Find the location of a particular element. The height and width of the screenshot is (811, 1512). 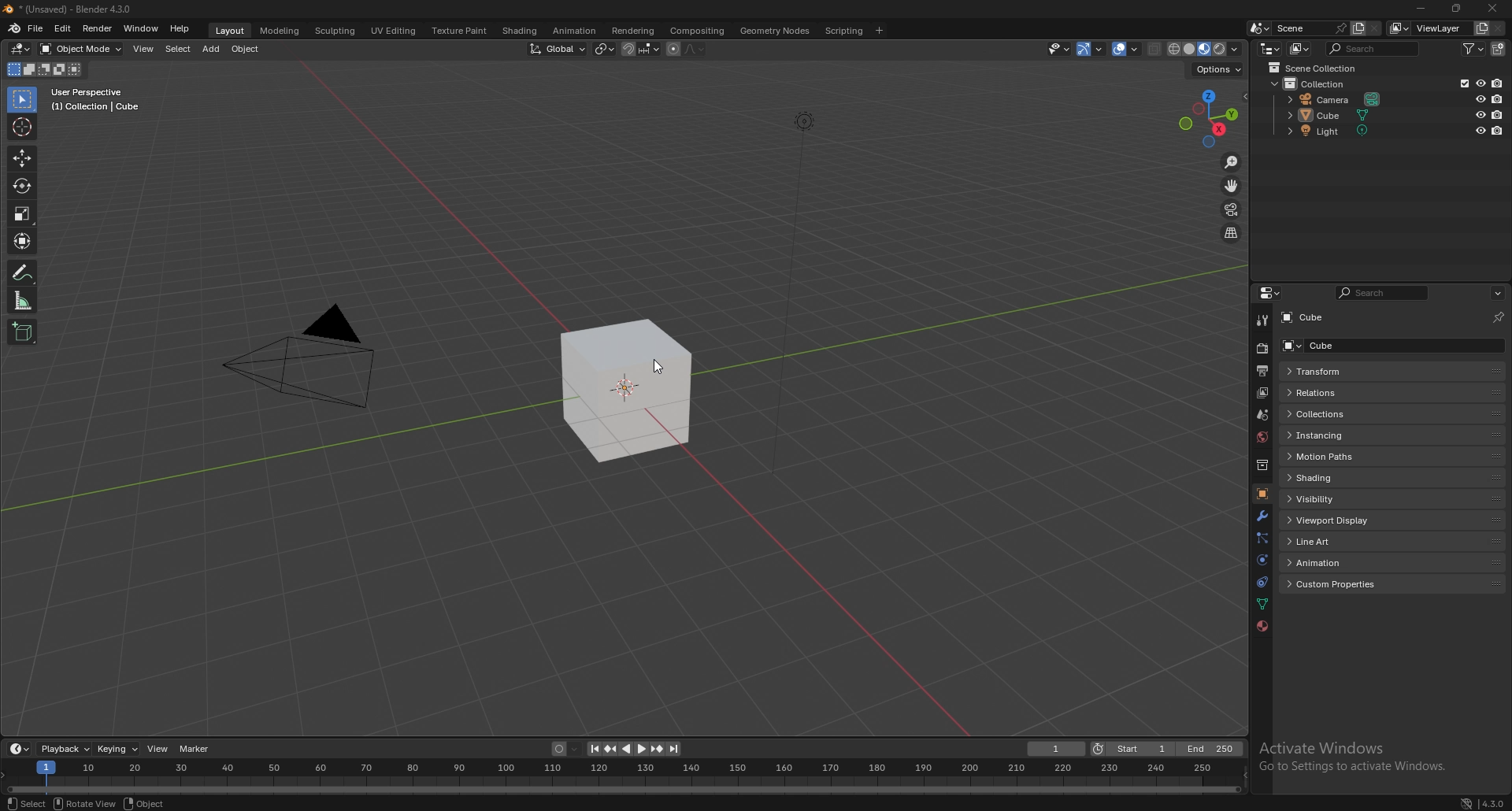

uv editing is located at coordinates (394, 31).